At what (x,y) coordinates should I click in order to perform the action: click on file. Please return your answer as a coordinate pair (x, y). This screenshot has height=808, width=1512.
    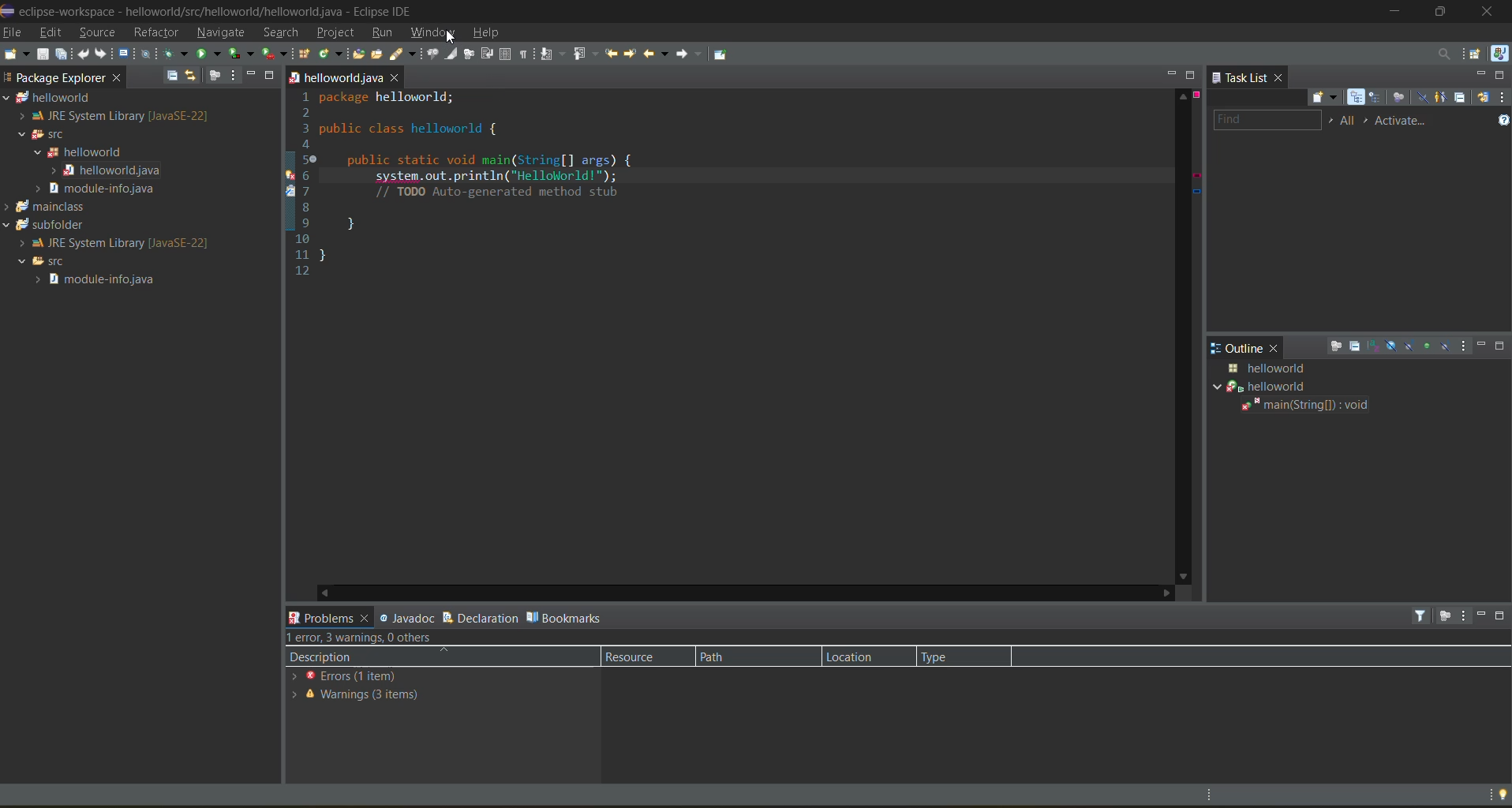
    Looking at the image, I should click on (14, 33).